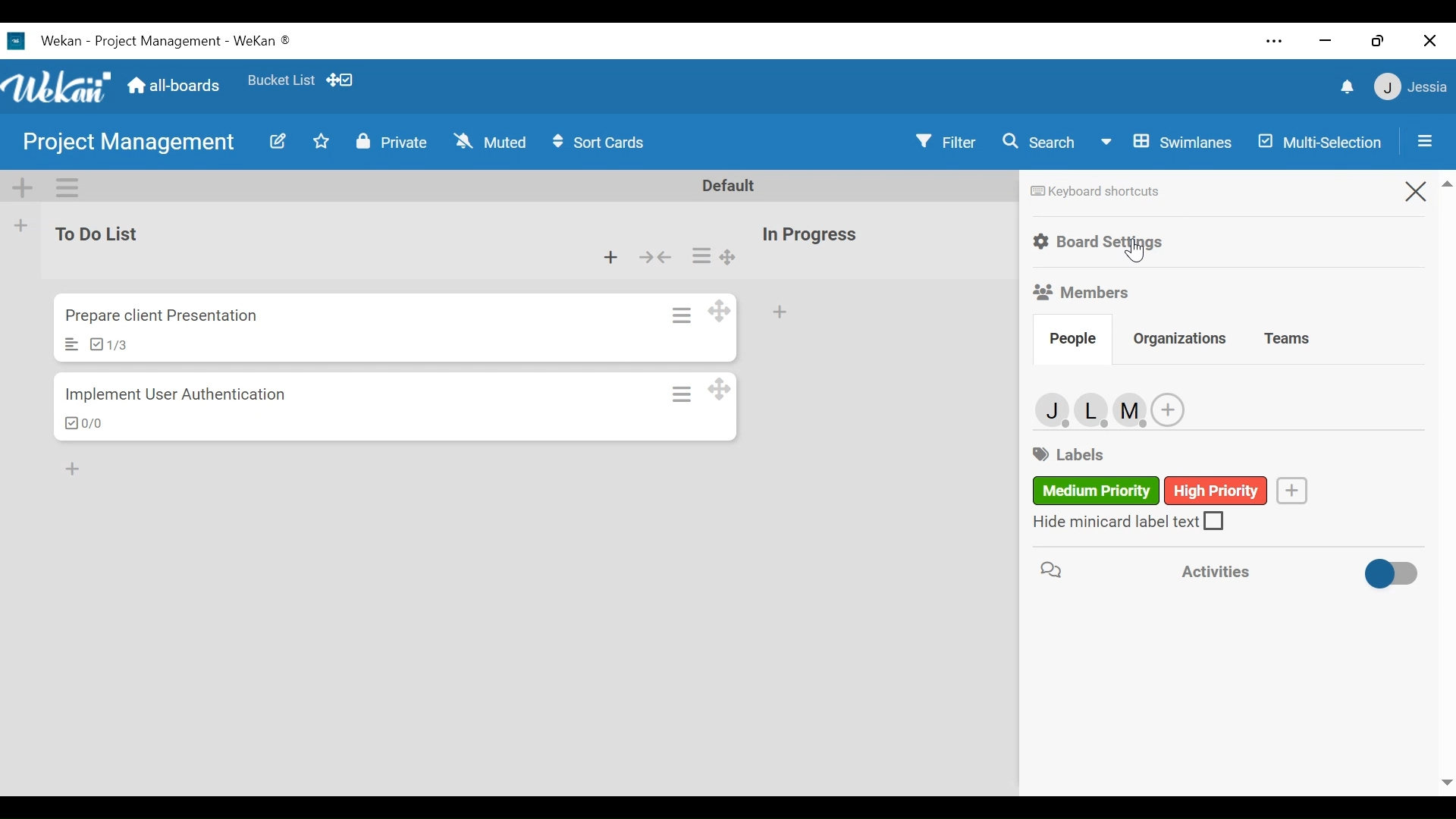  I want to click on Teams, so click(1291, 339).